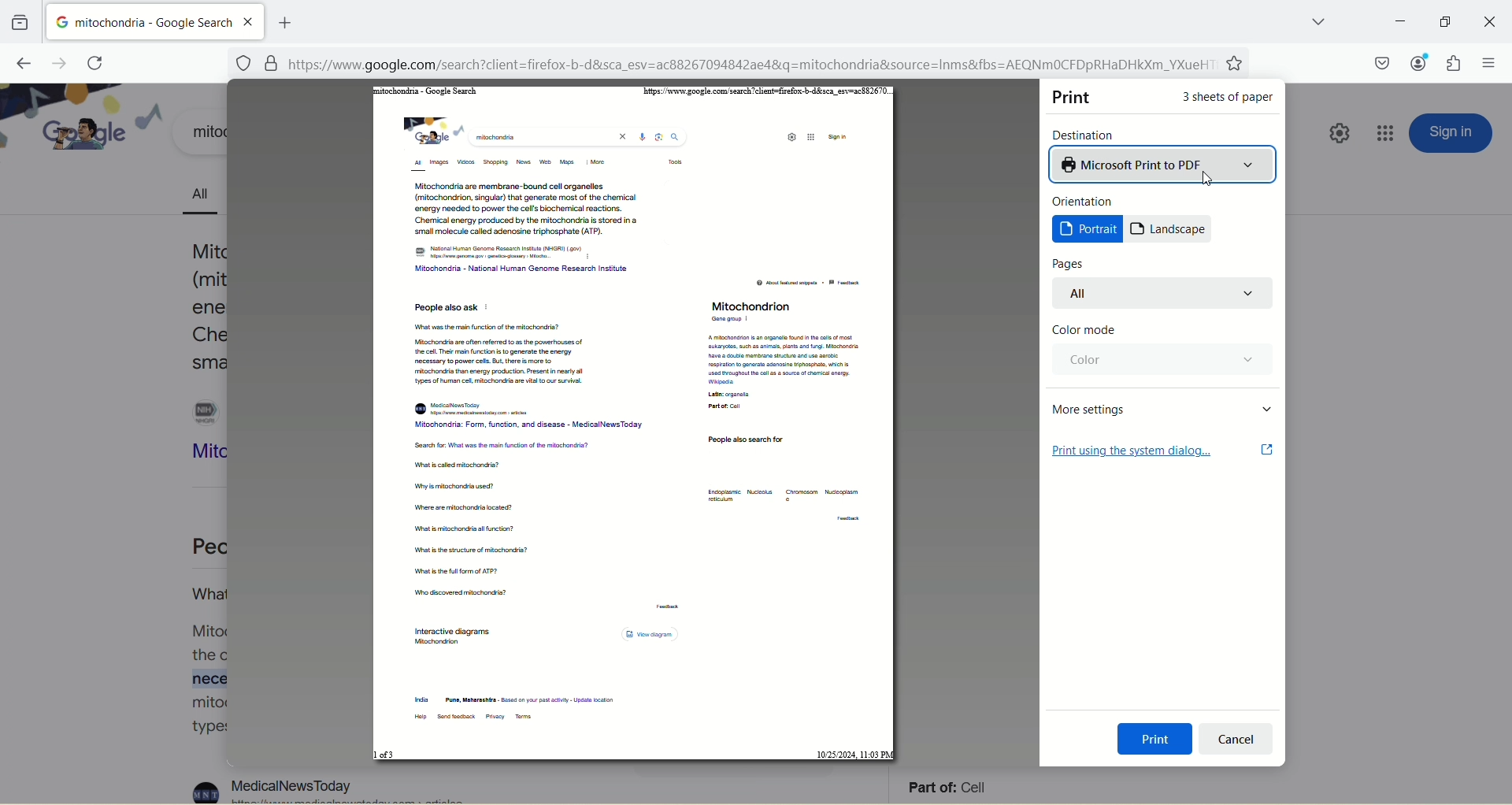  What do you see at coordinates (1155, 739) in the screenshot?
I see `print` at bounding box center [1155, 739].